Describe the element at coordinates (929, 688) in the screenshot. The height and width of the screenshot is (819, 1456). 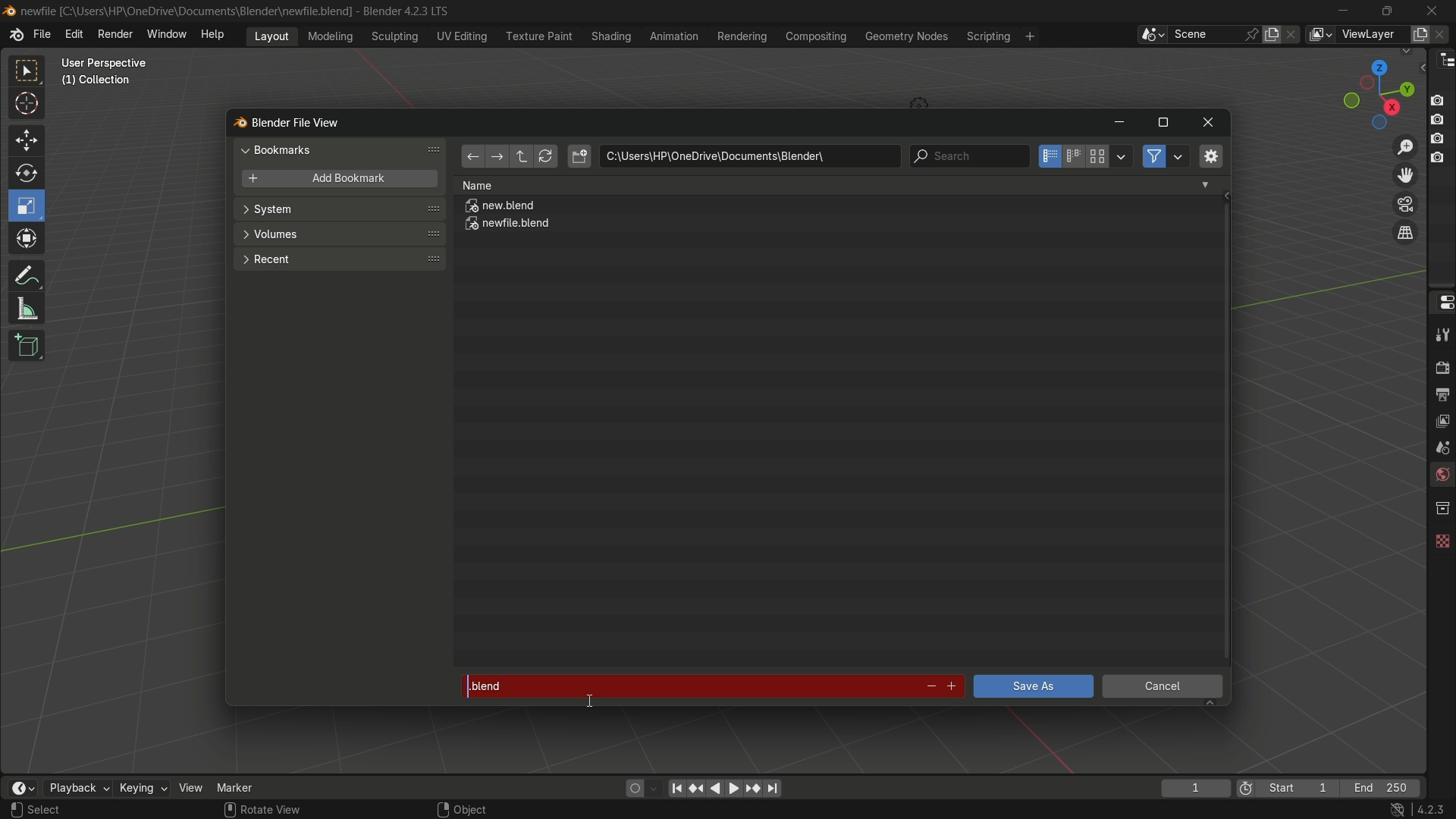
I see `decrement number in file name` at that location.